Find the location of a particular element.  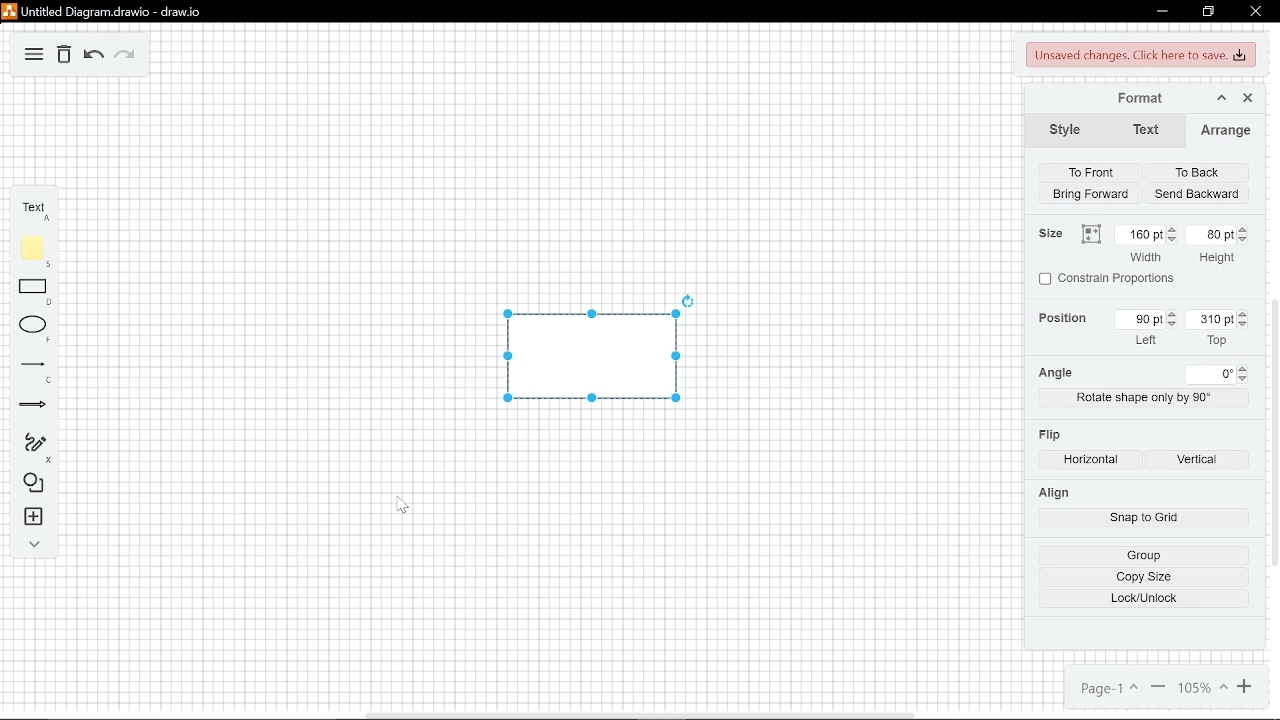

close is located at coordinates (1255, 12).